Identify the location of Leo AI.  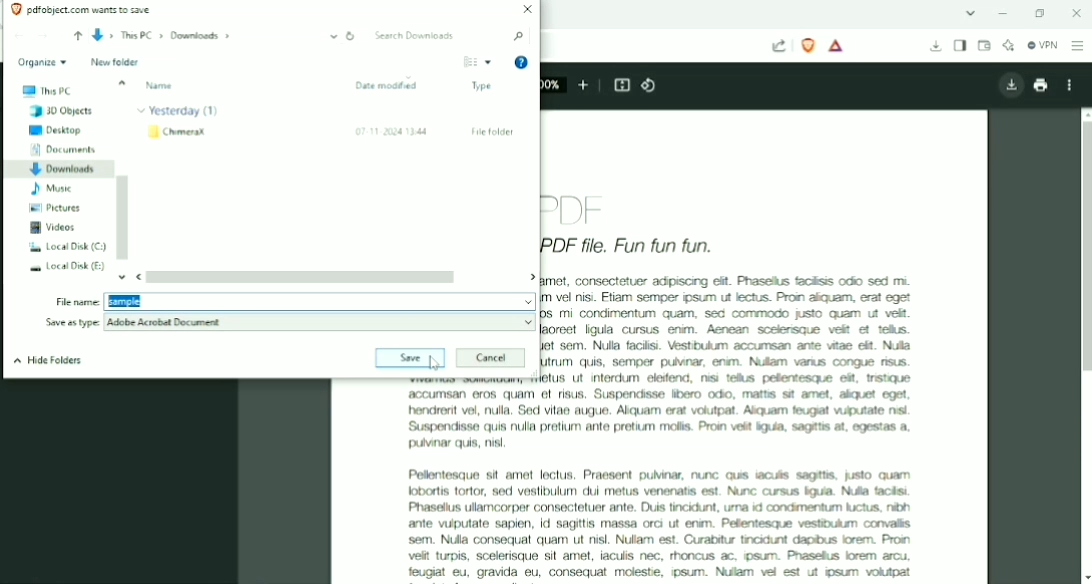
(1008, 46).